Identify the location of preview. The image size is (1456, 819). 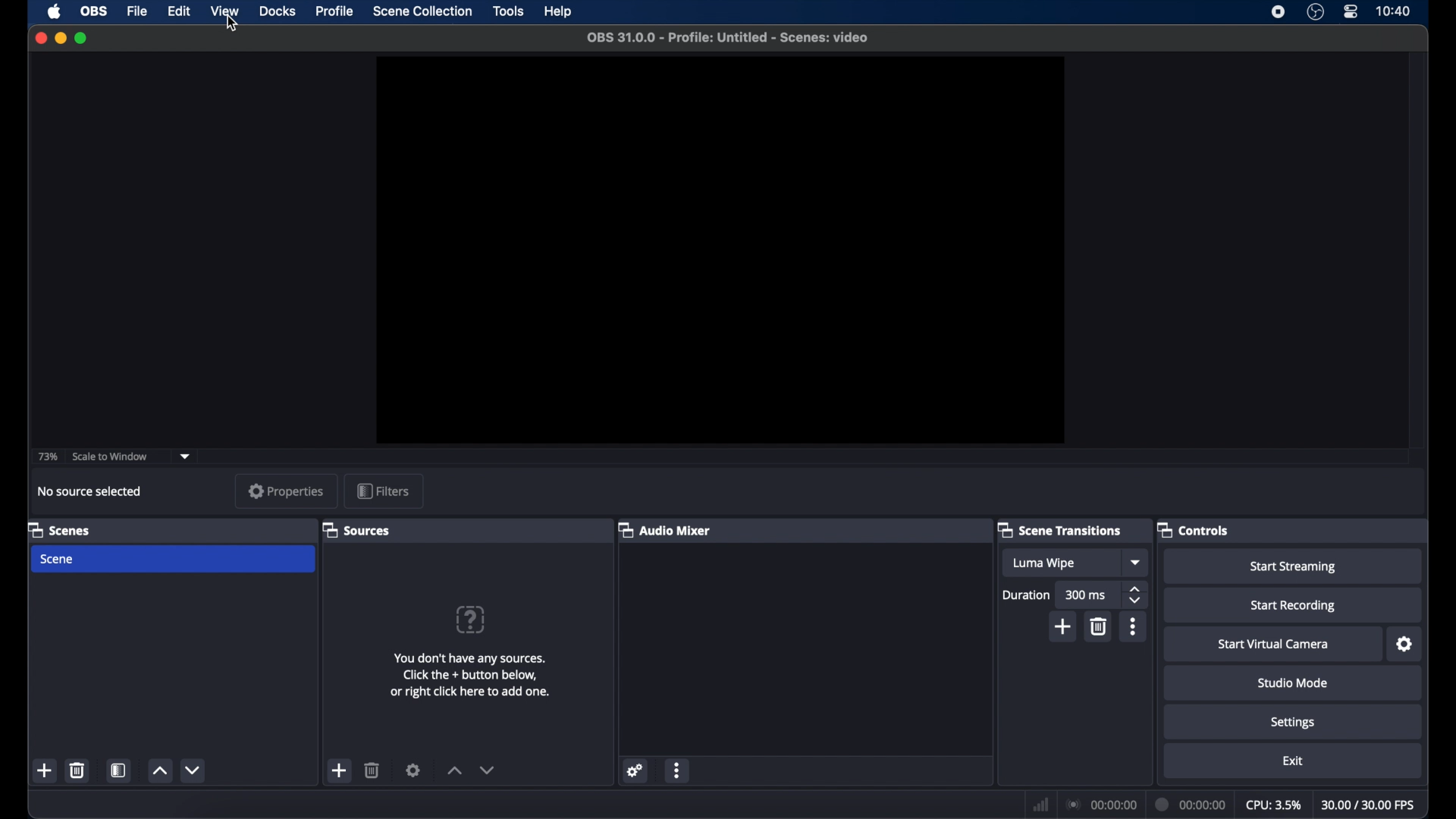
(720, 252).